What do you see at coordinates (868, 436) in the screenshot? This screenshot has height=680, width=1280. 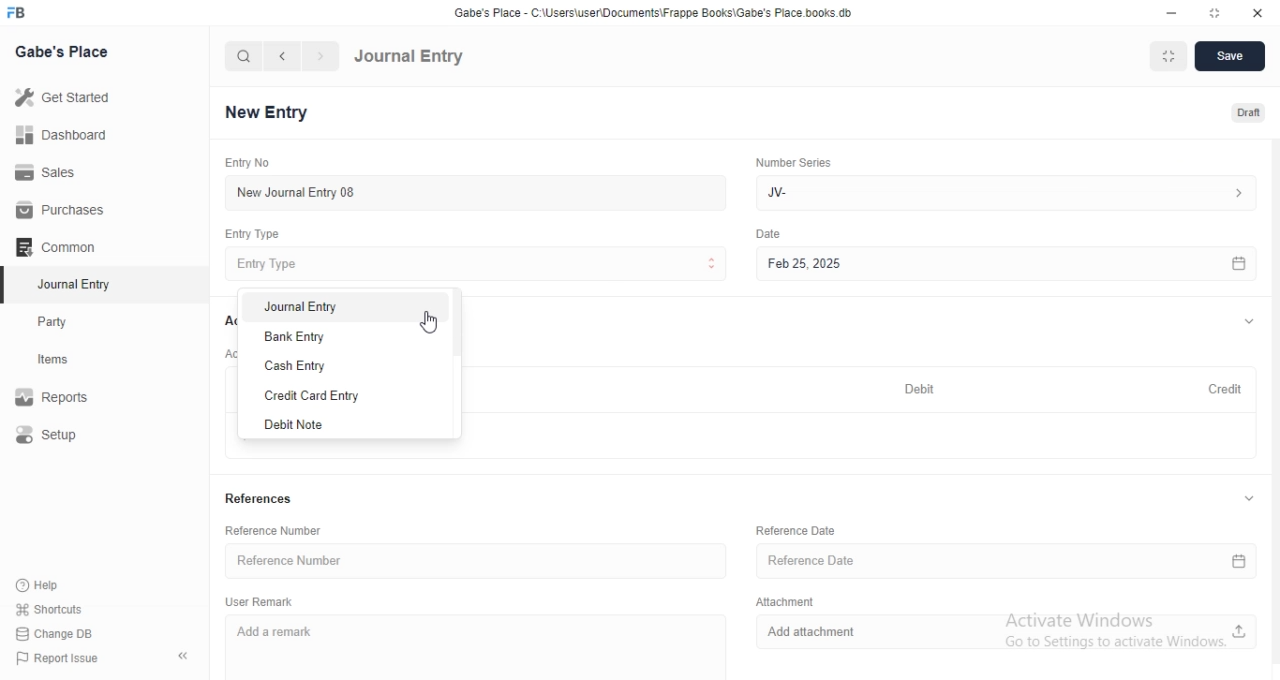 I see `+ Add Row` at bounding box center [868, 436].